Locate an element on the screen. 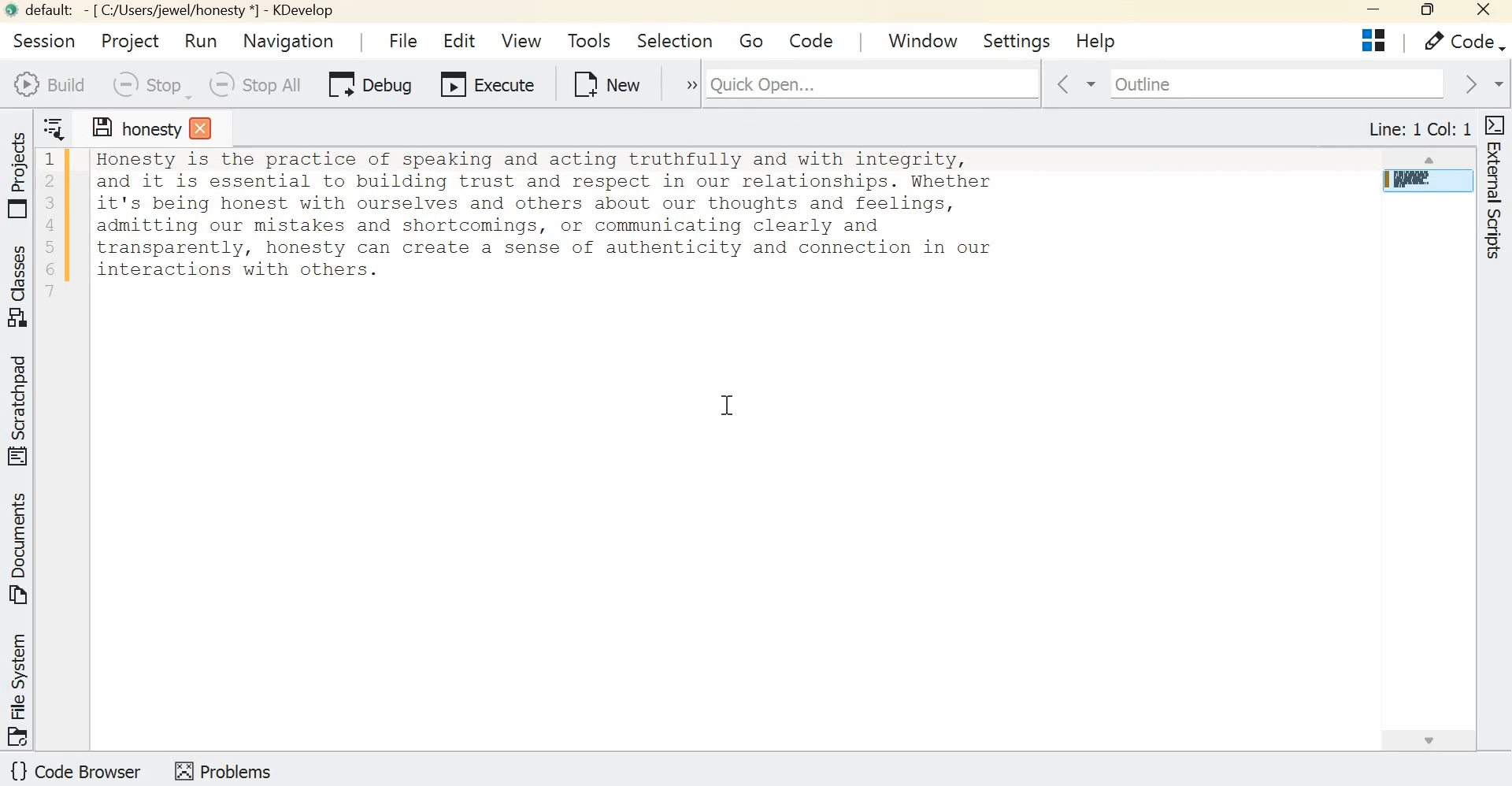  Maximize is located at coordinates (1425, 11).